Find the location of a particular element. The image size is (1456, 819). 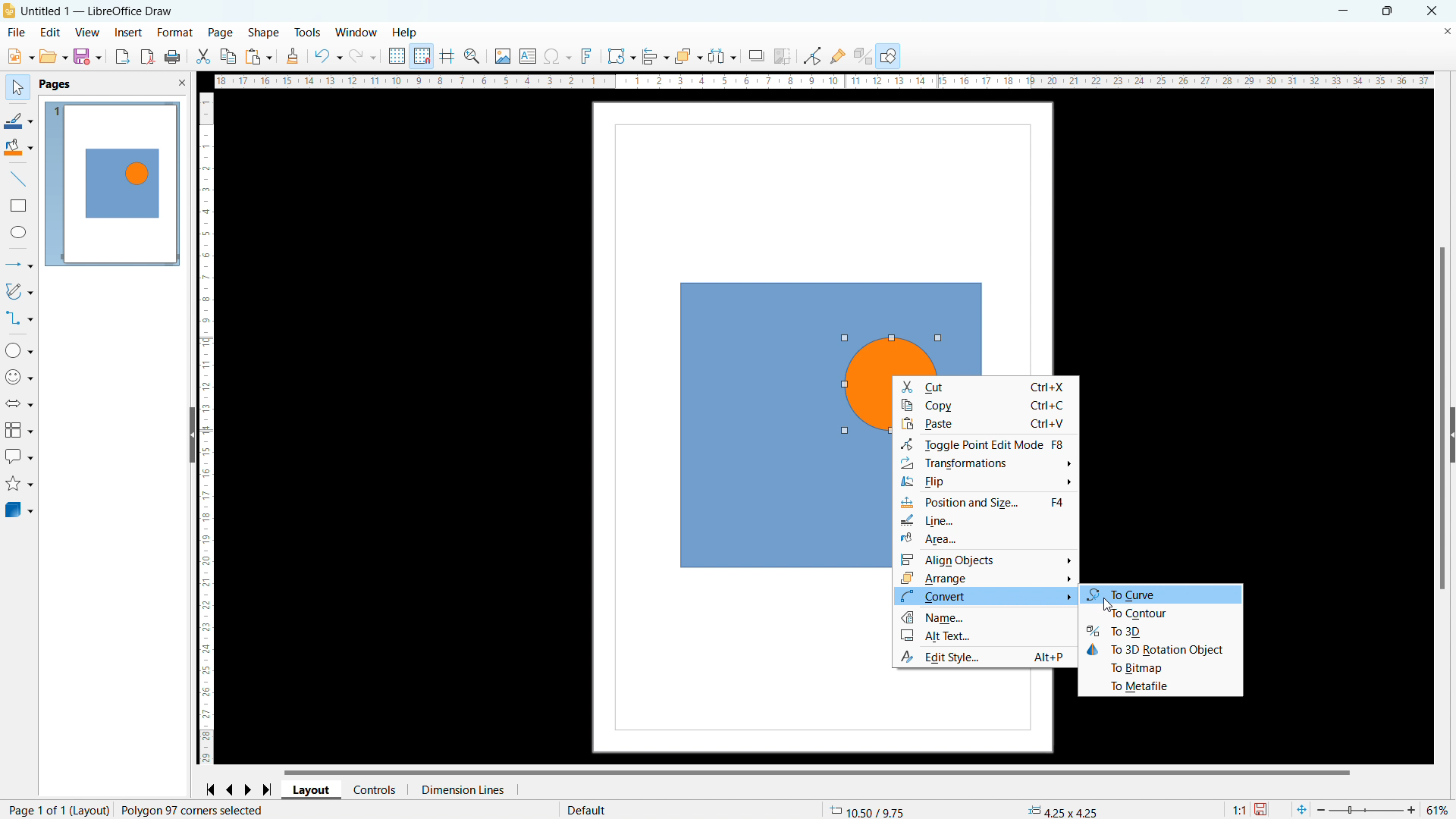

horizontal scrollbar is located at coordinates (817, 771).